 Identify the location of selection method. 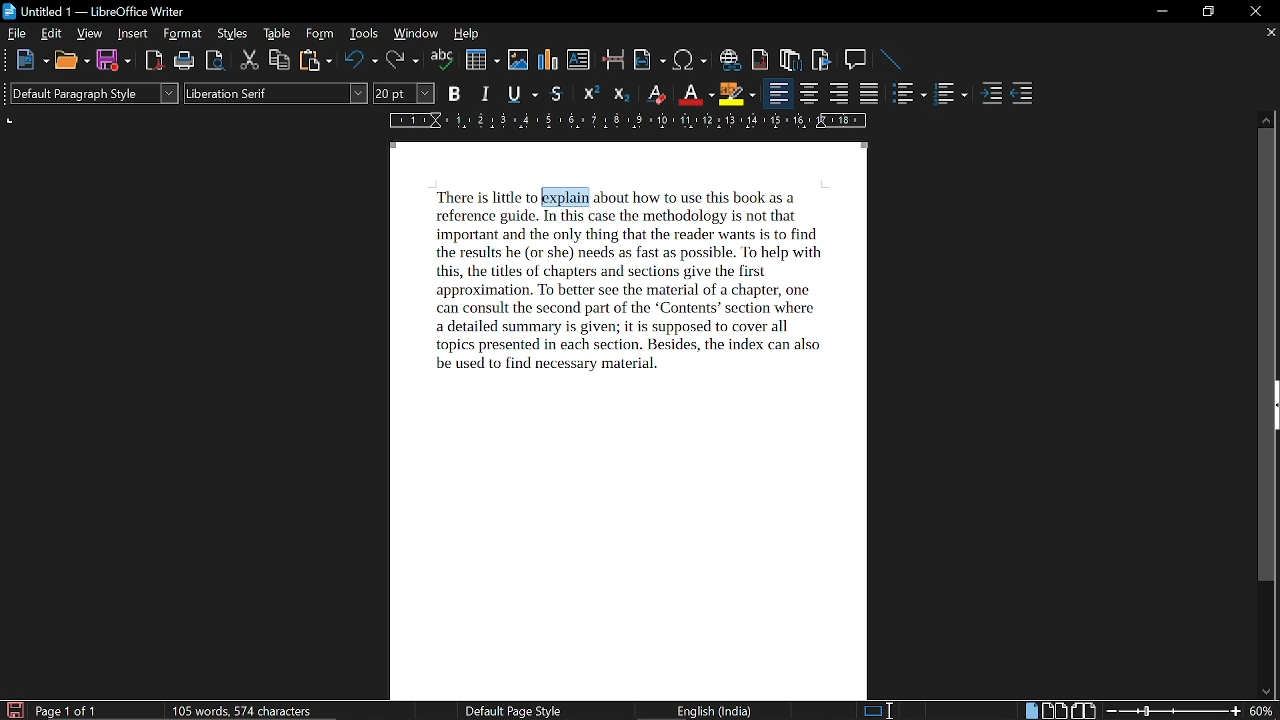
(877, 710).